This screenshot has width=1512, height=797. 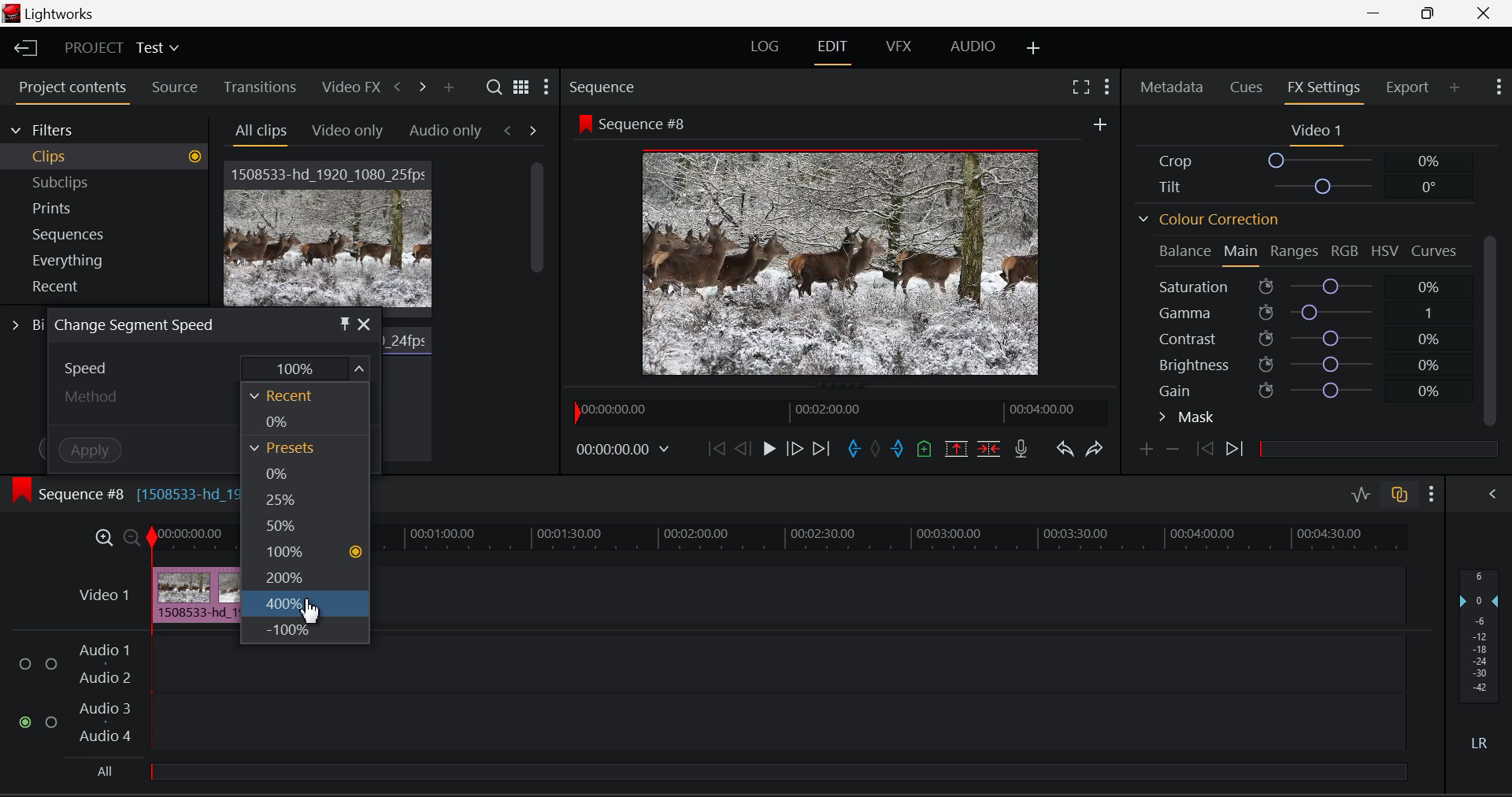 I want to click on -100%, so click(x=303, y=631).